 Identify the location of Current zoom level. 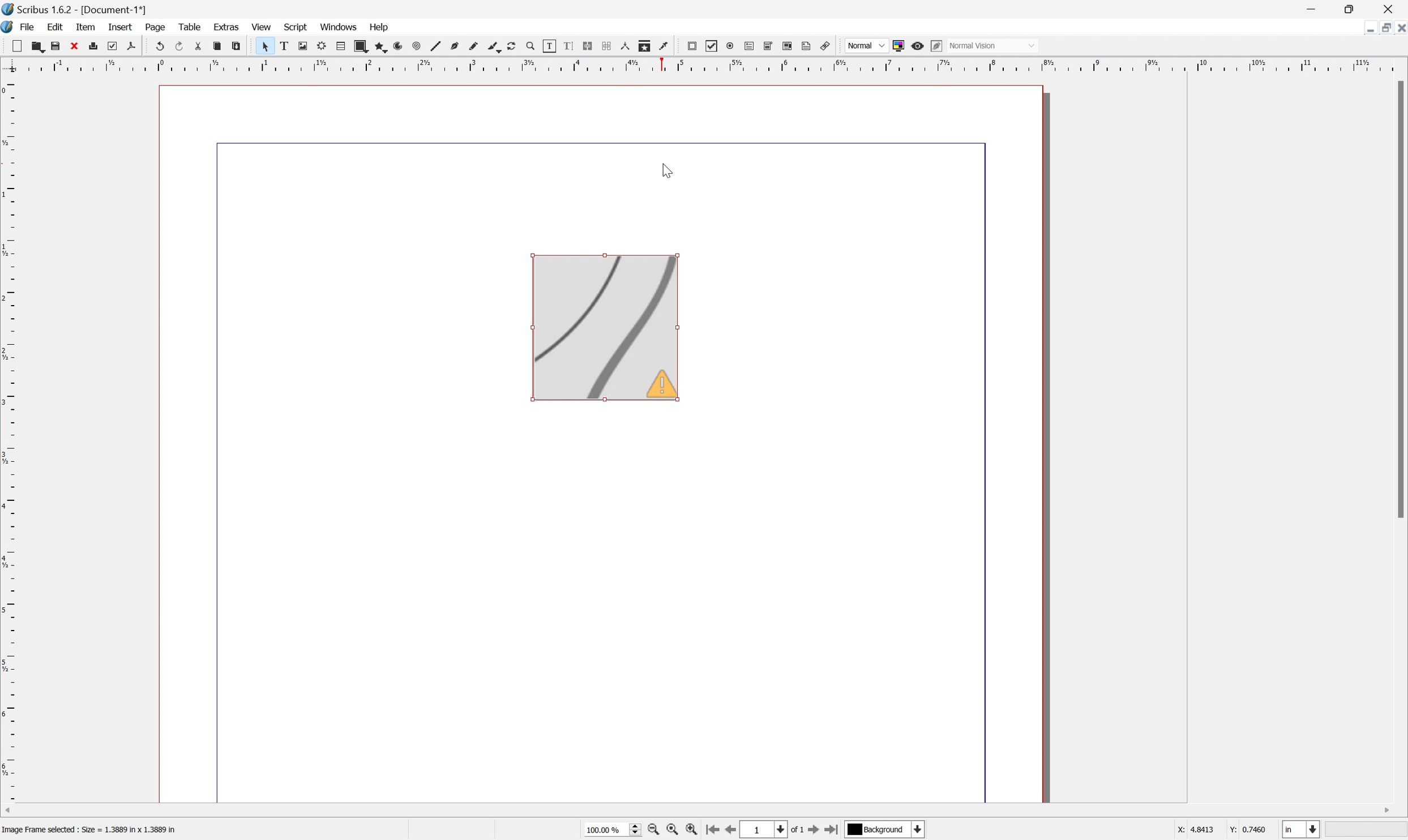
(612, 829).